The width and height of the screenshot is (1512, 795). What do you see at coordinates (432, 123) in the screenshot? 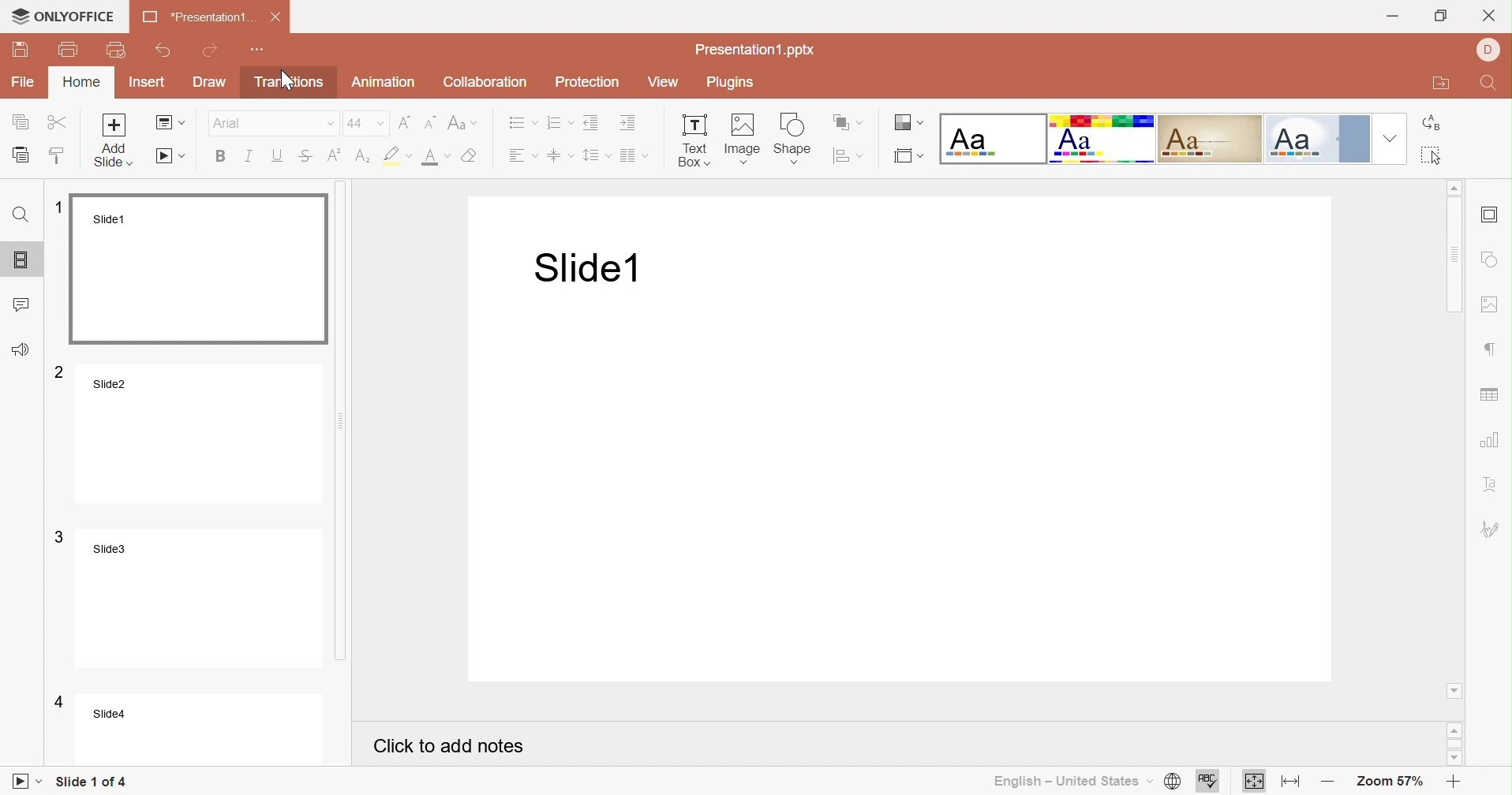
I see `Decrement font size` at bounding box center [432, 123].